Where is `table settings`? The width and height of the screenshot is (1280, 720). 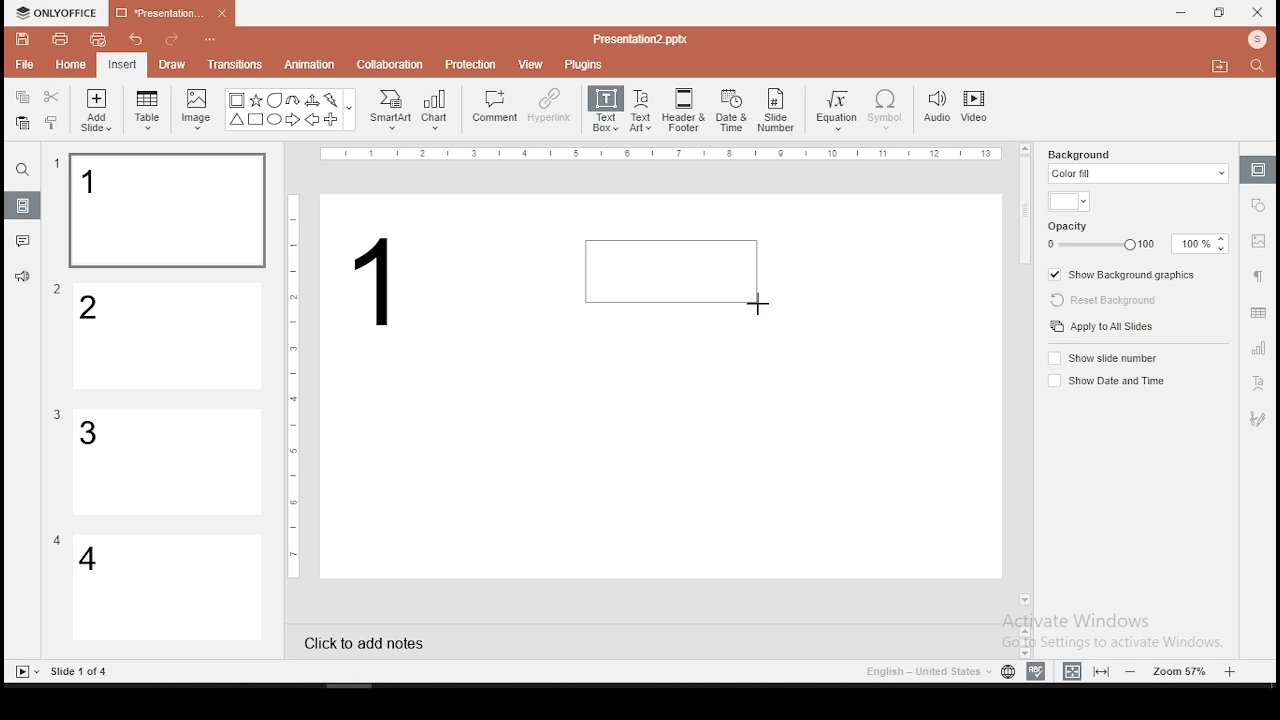 table settings is located at coordinates (1256, 313).